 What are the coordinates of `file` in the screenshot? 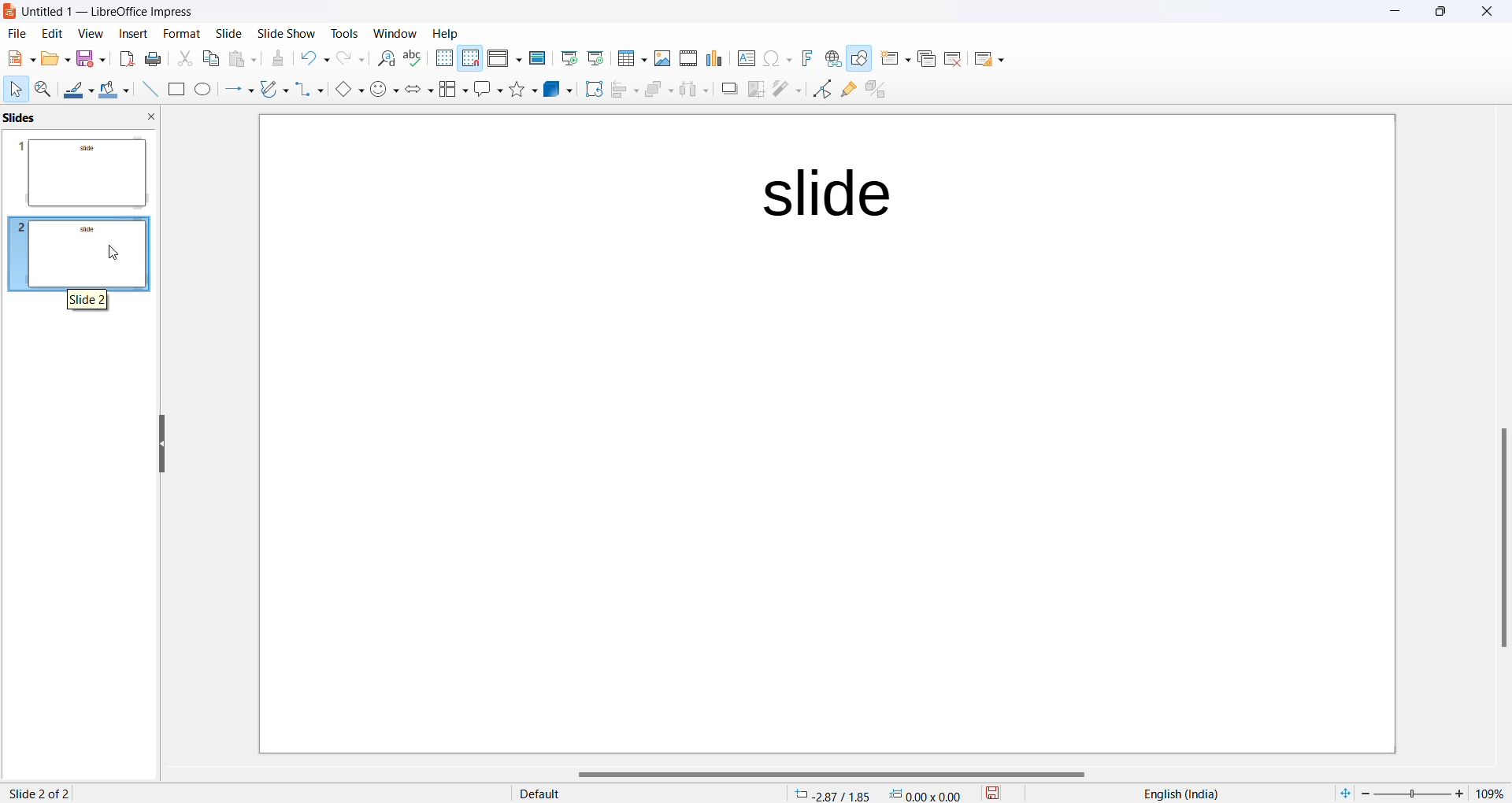 It's located at (15, 35).